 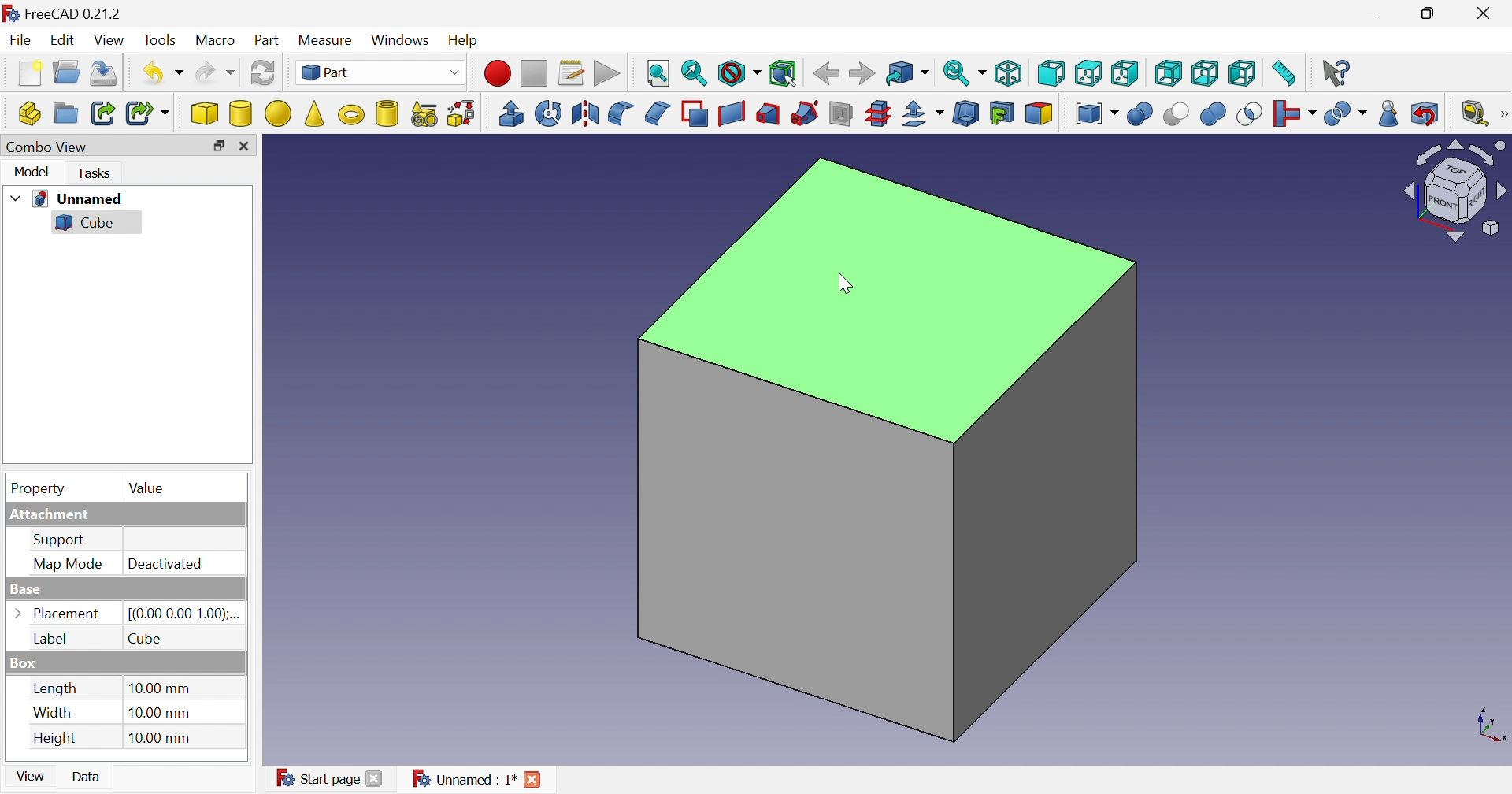 What do you see at coordinates (17, 195) in the screenshot?
I see `Drop down` at bounding box center [17, 195].